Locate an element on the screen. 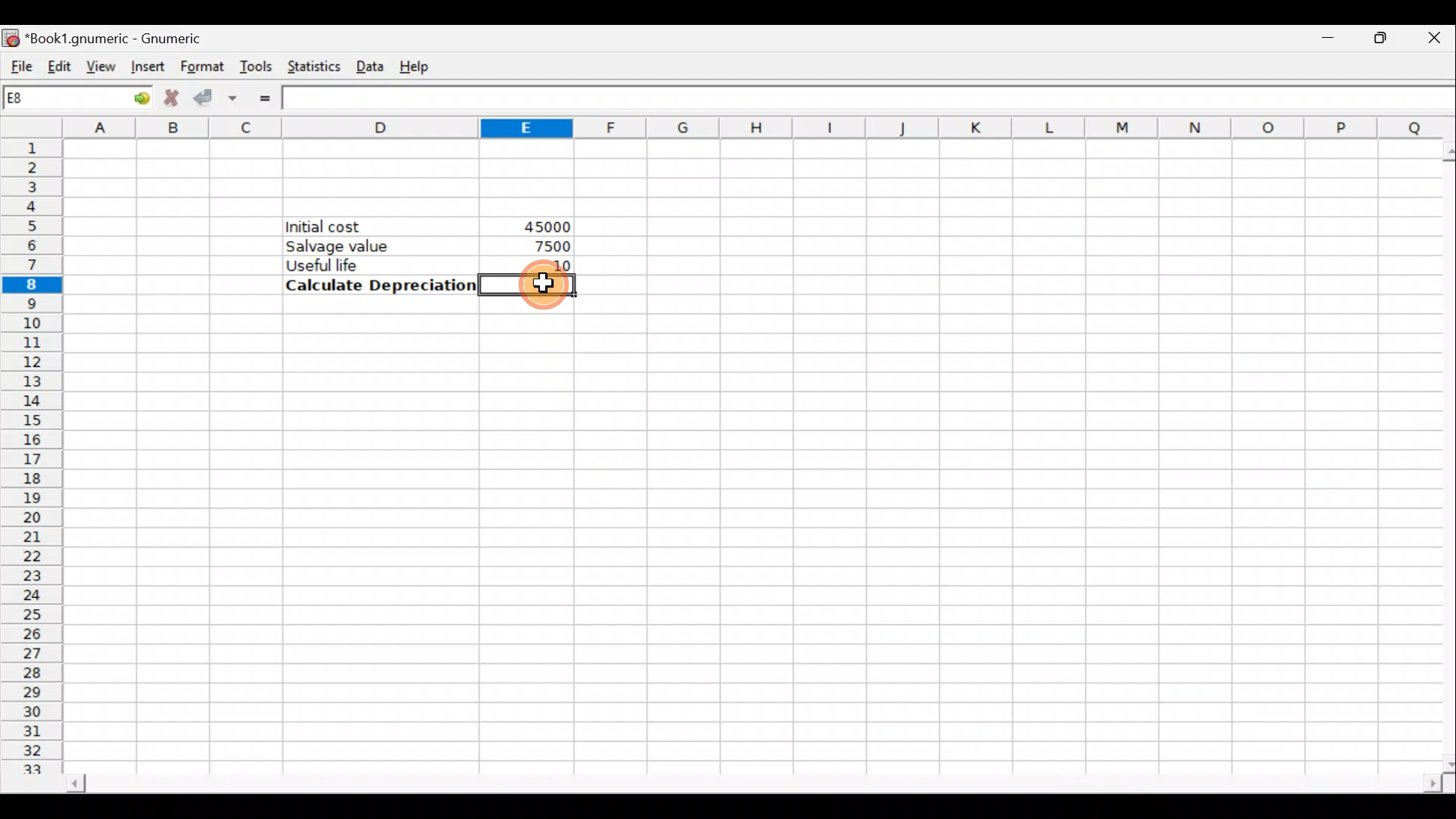  Cells is located at coordinates (747, 538).